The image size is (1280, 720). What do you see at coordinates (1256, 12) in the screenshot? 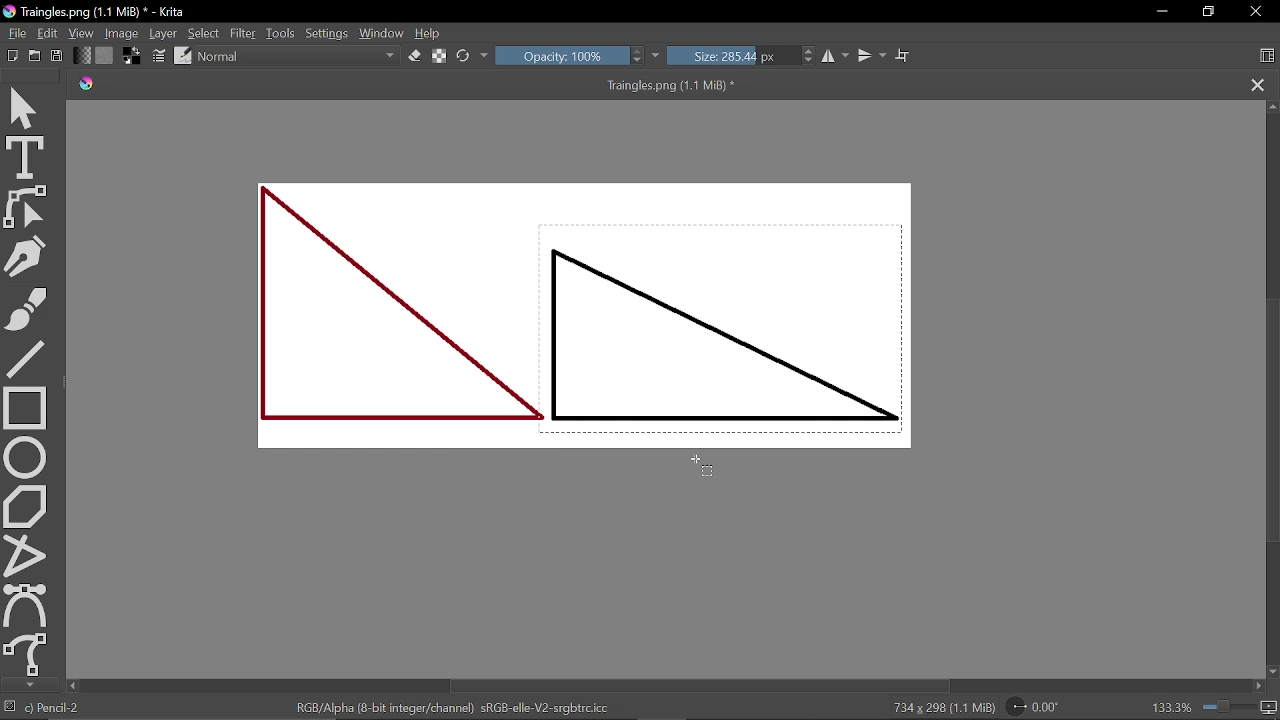
I see `CLose` at bounding box center [1256, 12].